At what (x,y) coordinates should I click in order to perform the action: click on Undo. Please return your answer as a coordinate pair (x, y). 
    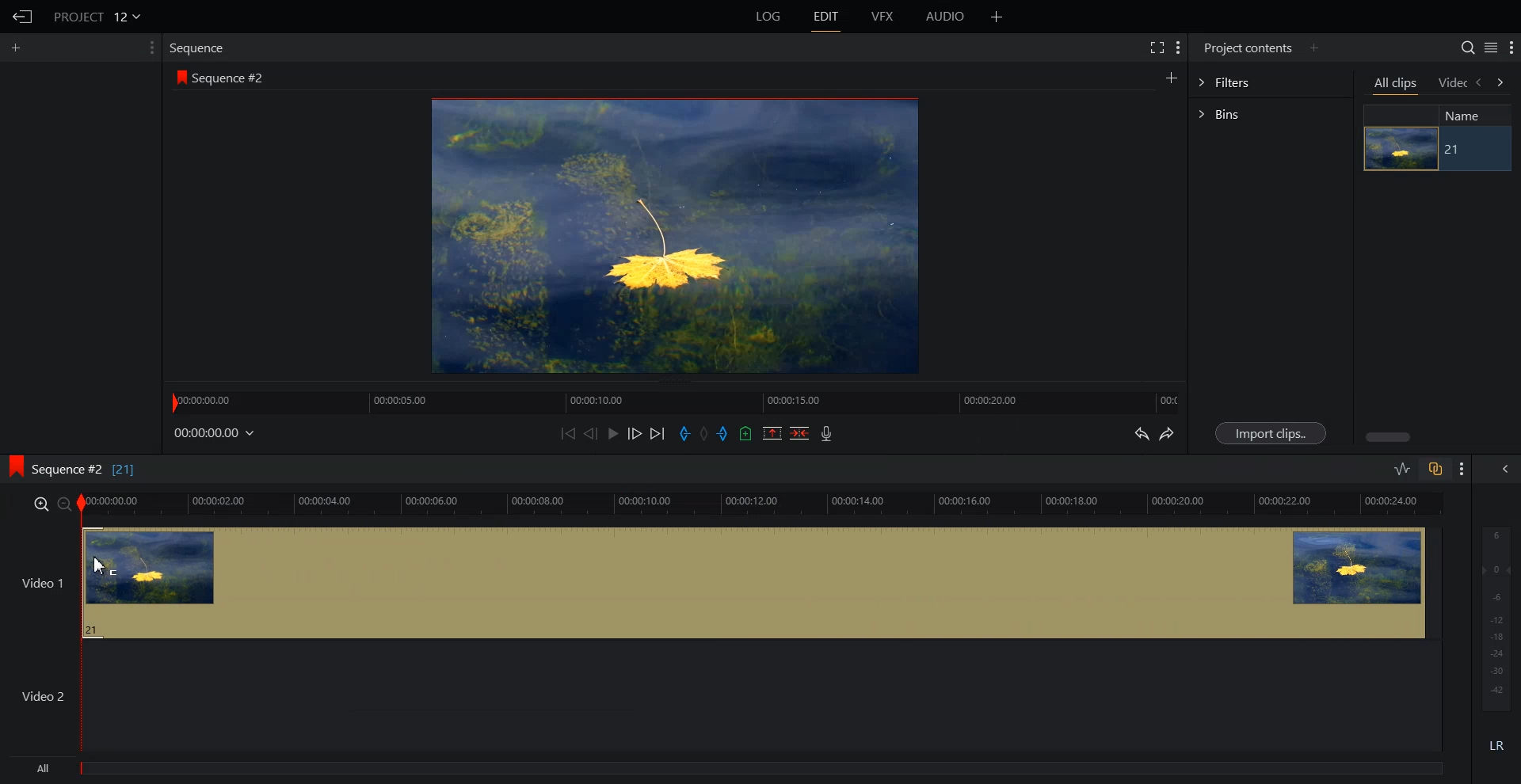
    Looking at the image, I should click on (1141, 433).